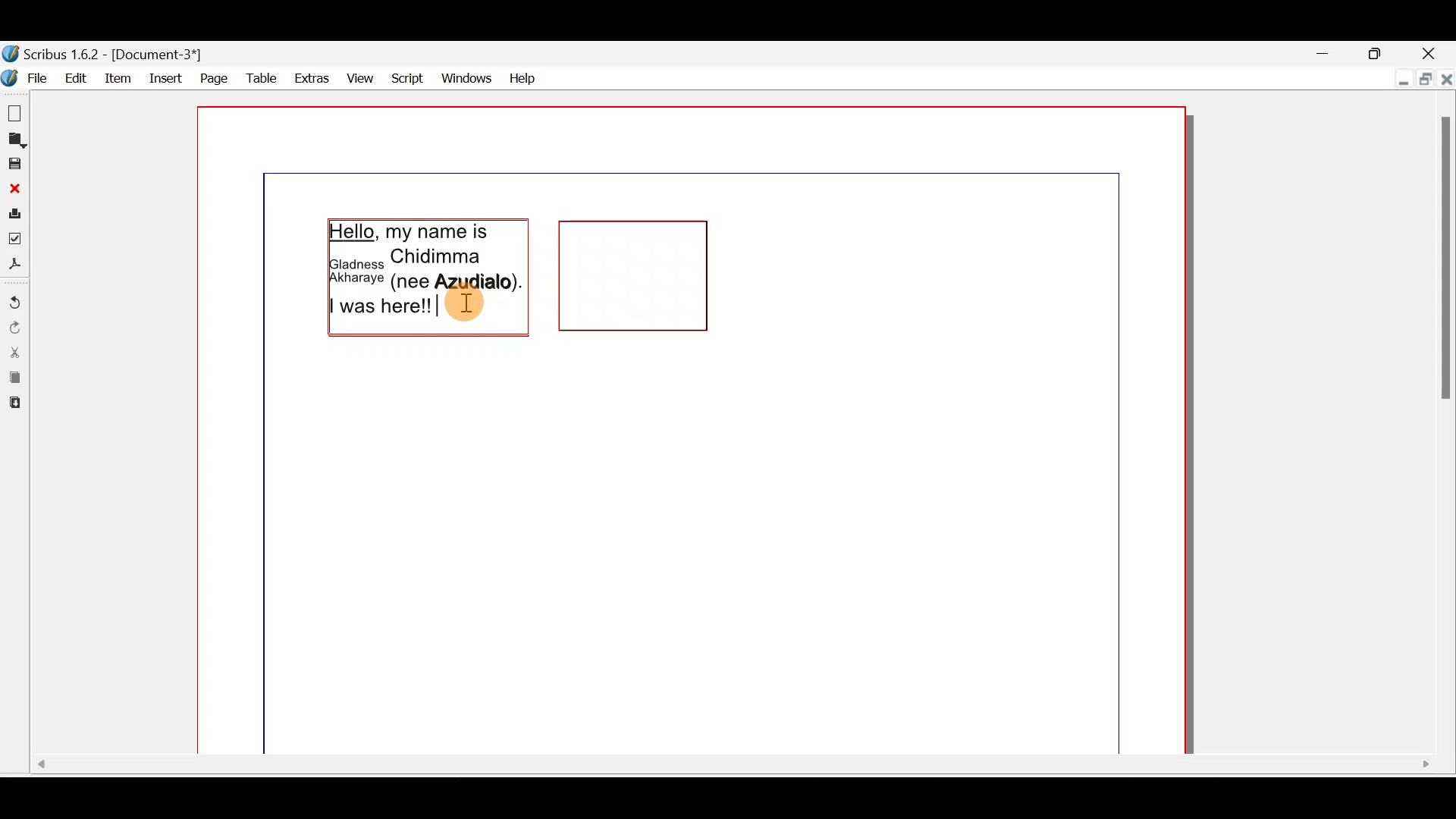 The height and width of the screenshot is (819, 1456). Describe the element at coordinates (14, 163) in the screenshot. I see `Save` at that location.